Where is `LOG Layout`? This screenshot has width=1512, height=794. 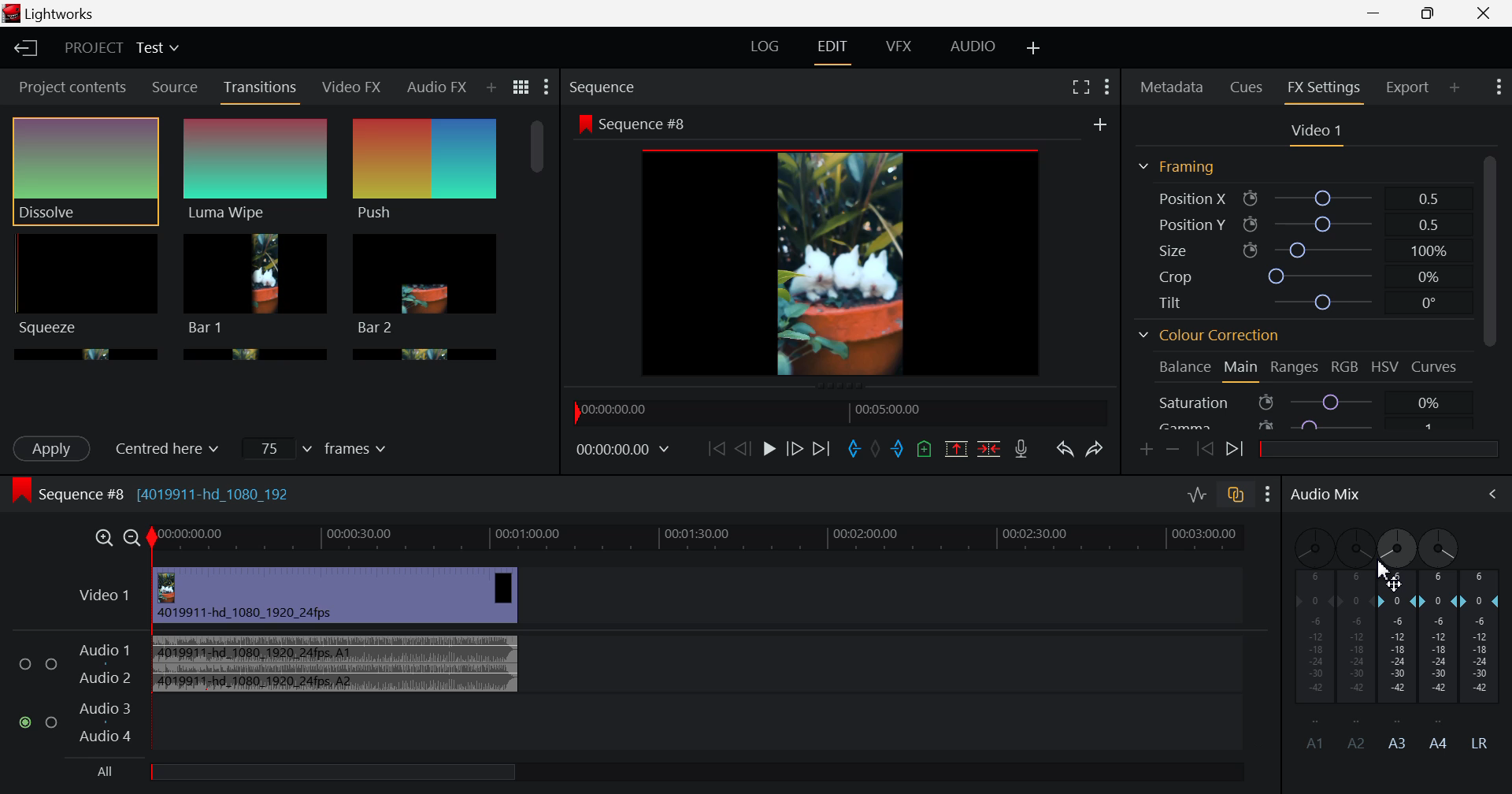
LOG Layout is located at coordinates (766, 46).